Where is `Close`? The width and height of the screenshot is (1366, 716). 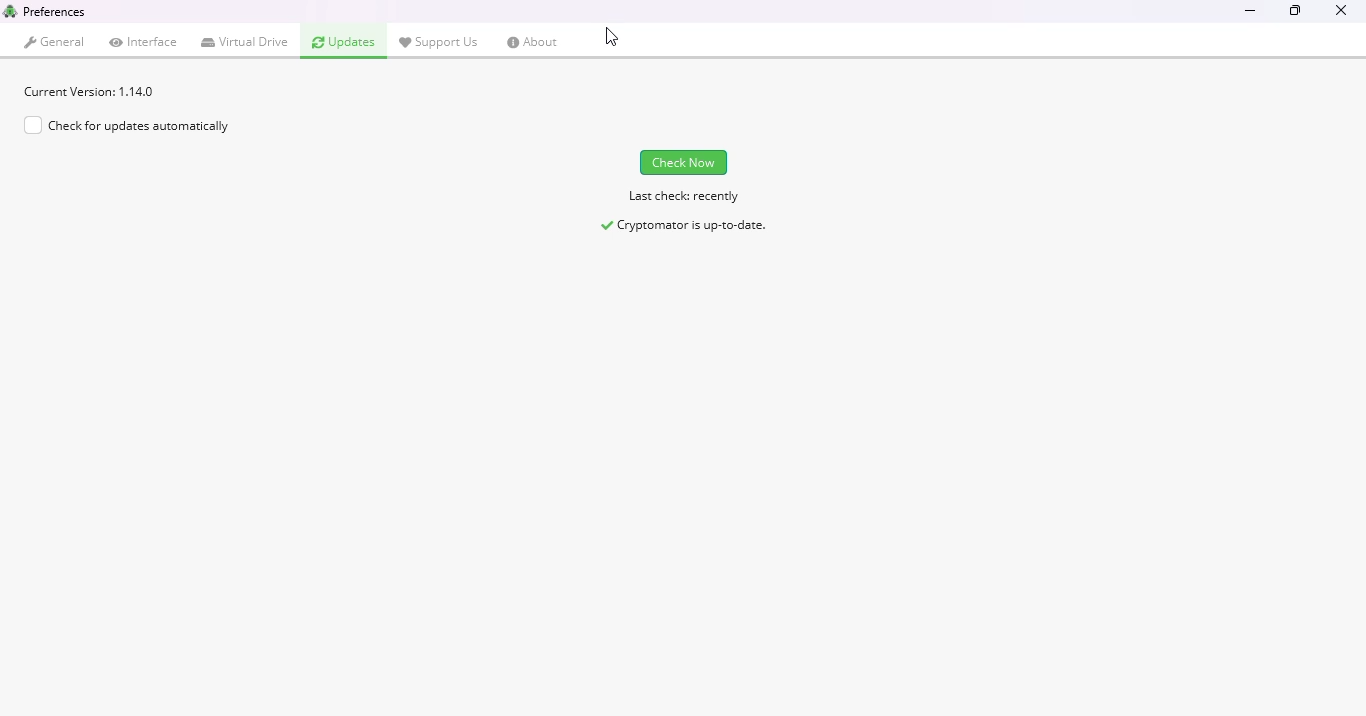 Close is located at coordinates (1340, 15).